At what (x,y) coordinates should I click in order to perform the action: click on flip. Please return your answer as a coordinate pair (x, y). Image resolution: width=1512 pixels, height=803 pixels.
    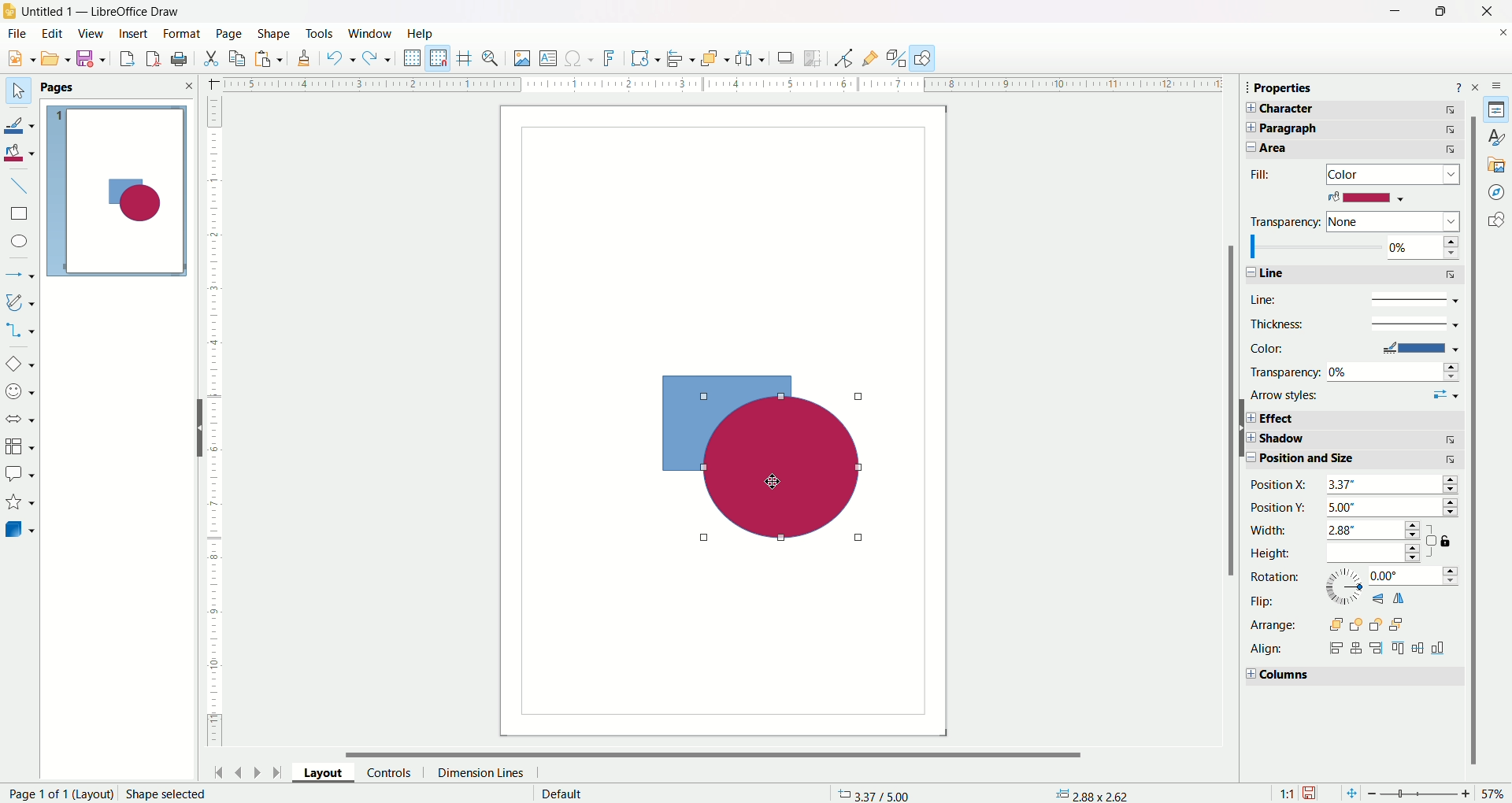
    Looking at the image, I should click on (1333, 601).